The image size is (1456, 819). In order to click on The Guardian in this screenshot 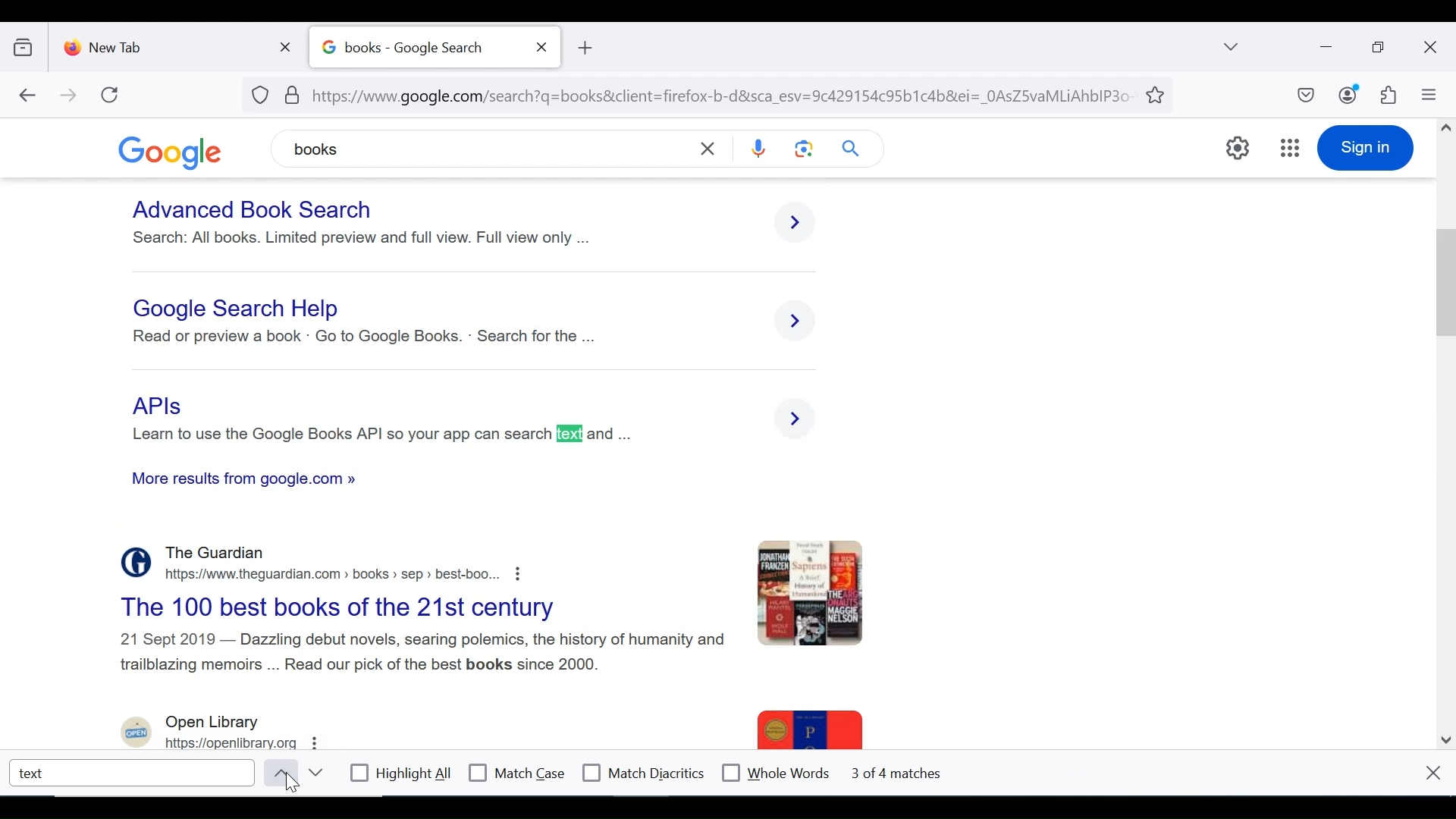, I will do `click(220, 553)`.